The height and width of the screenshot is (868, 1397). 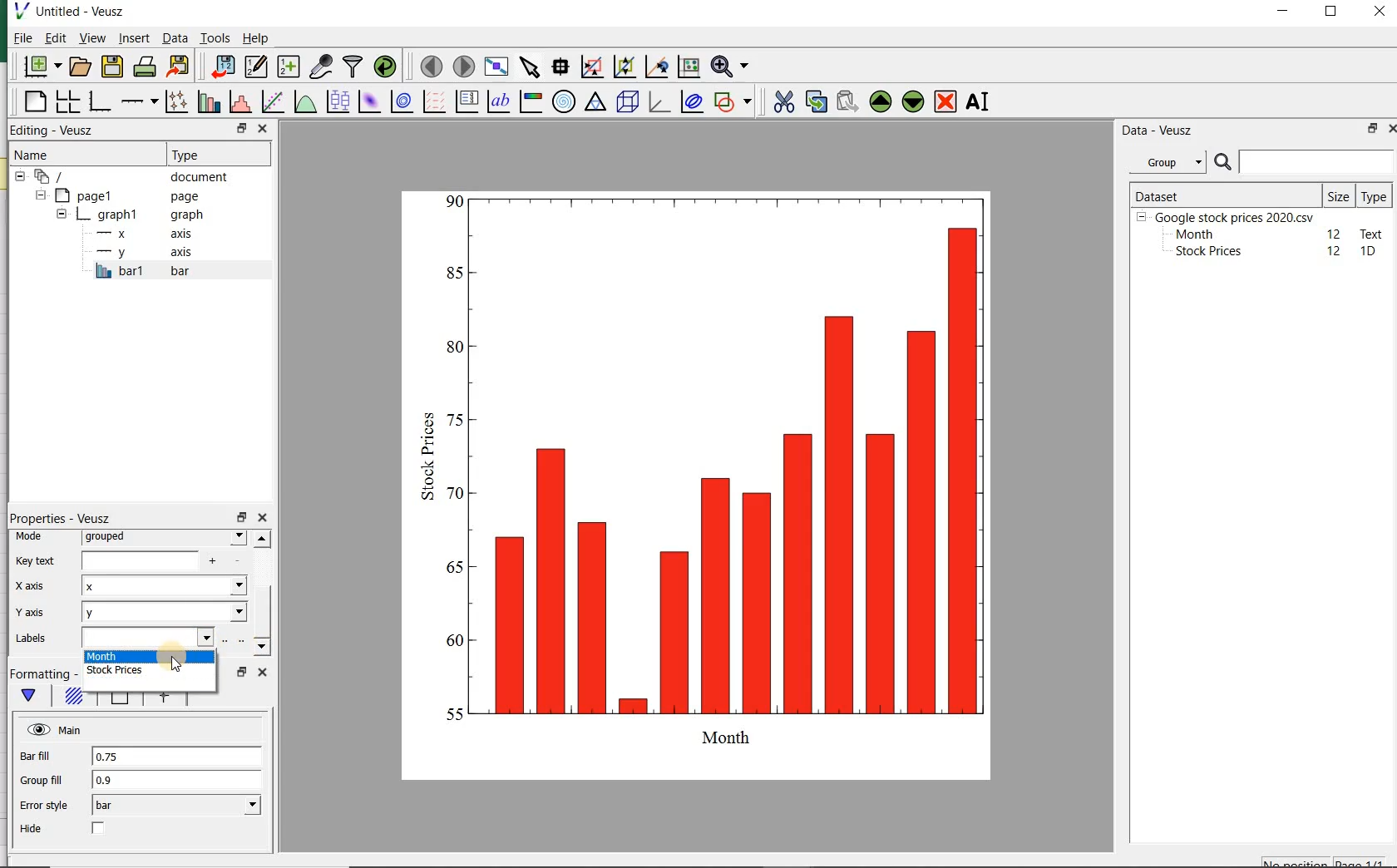 I want to click on plot box plots, so click(x=335, y=103).